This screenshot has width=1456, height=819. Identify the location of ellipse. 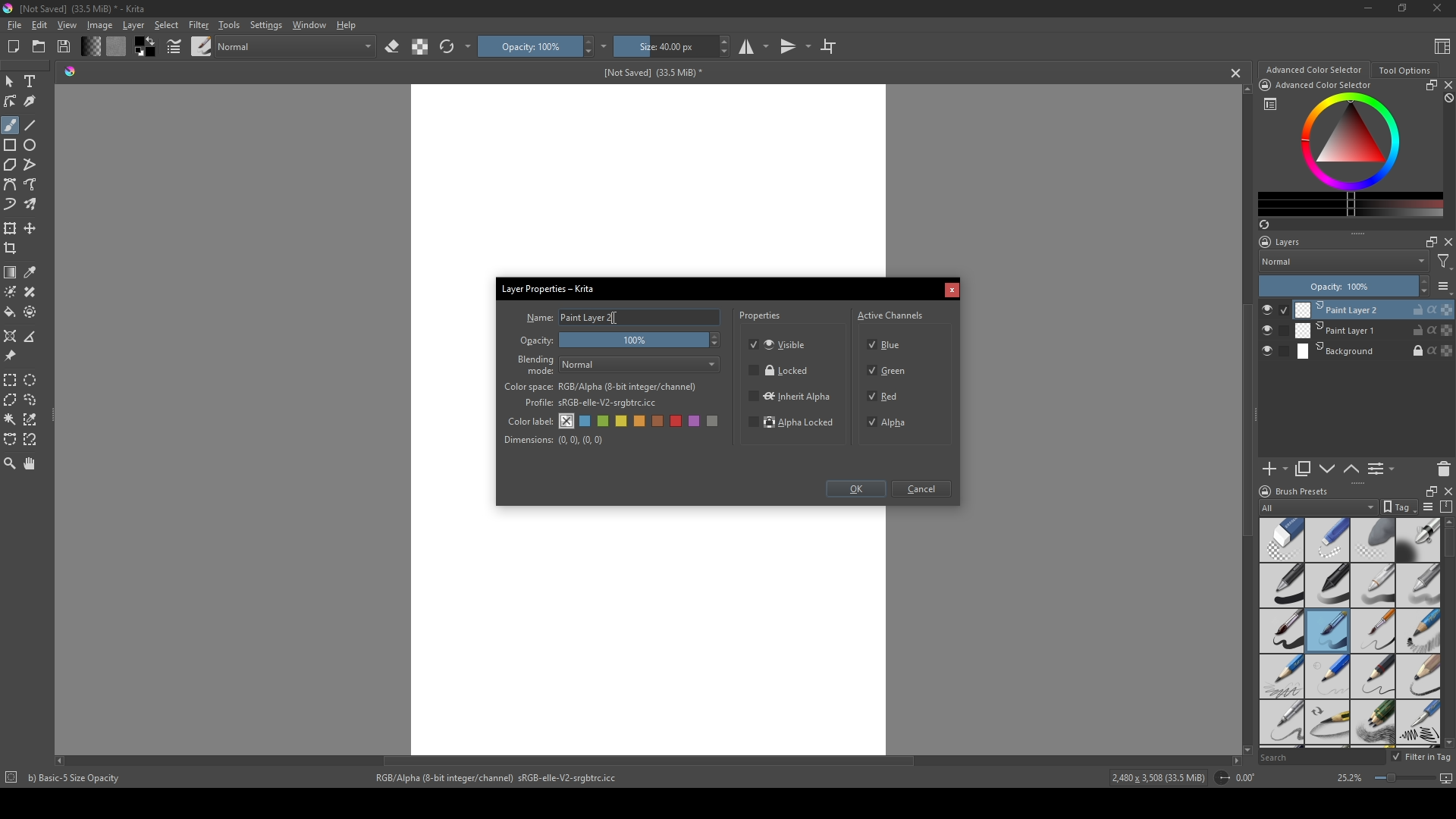
(31, 145).